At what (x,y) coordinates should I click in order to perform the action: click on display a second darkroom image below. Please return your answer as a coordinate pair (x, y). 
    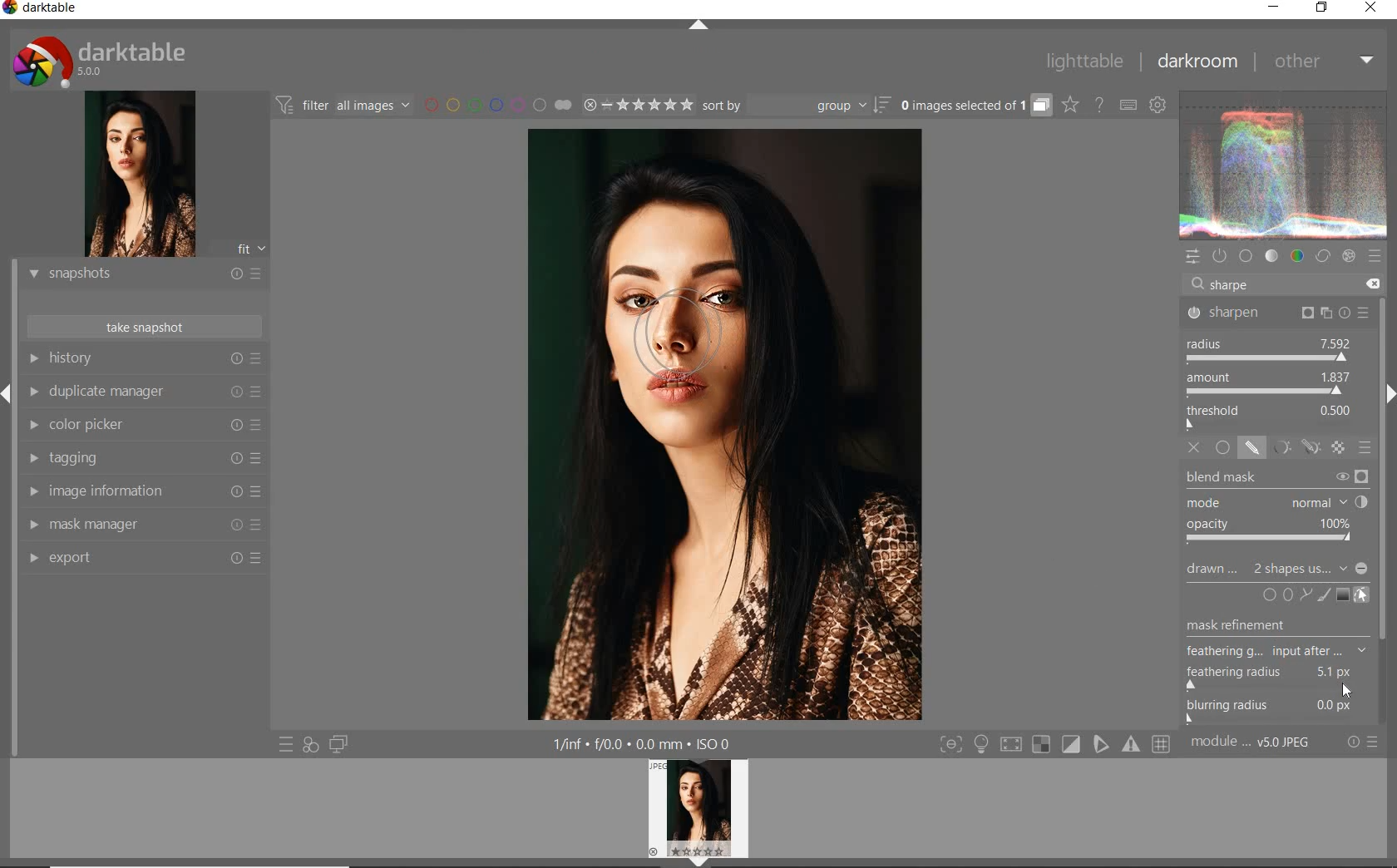
    Looking at the image, I should click on (340, 743).